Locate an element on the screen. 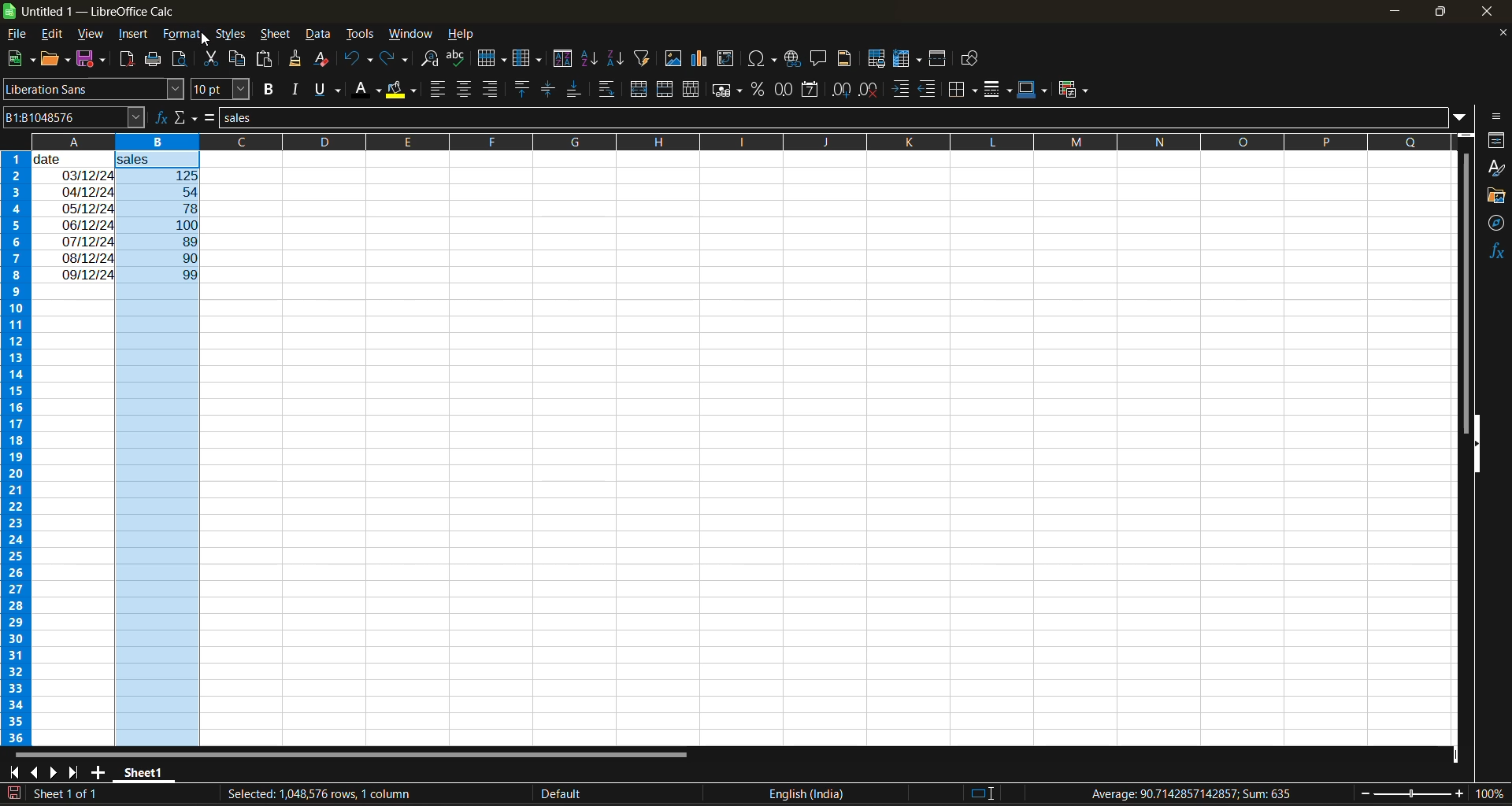 The height and width of the screenshot is (806, 1512). rows is located at coordinates (723, 141).